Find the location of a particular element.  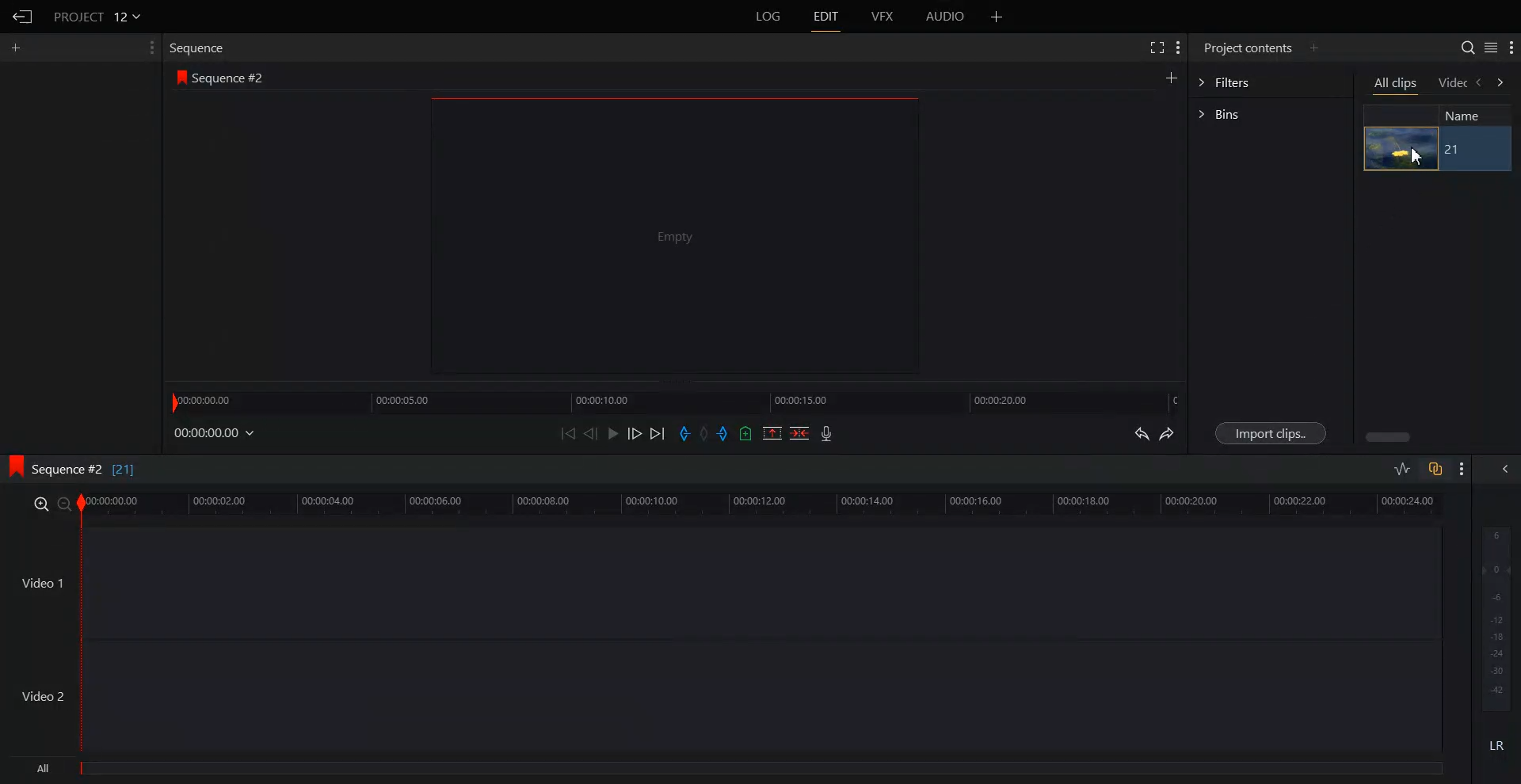

Project Contents is located at coordinates (1248, 47).